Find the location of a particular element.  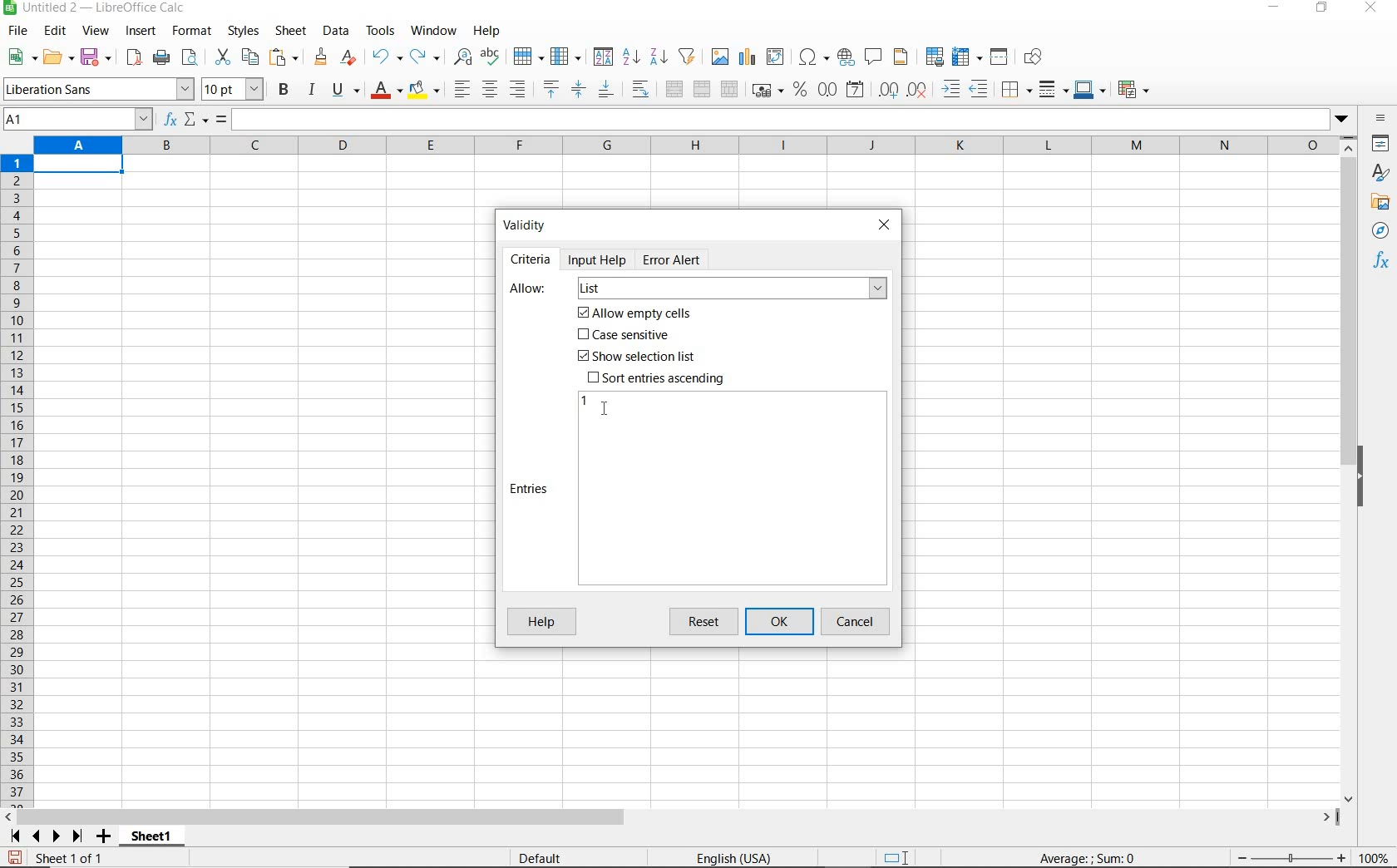

paste is located at coordinates (286, 59).